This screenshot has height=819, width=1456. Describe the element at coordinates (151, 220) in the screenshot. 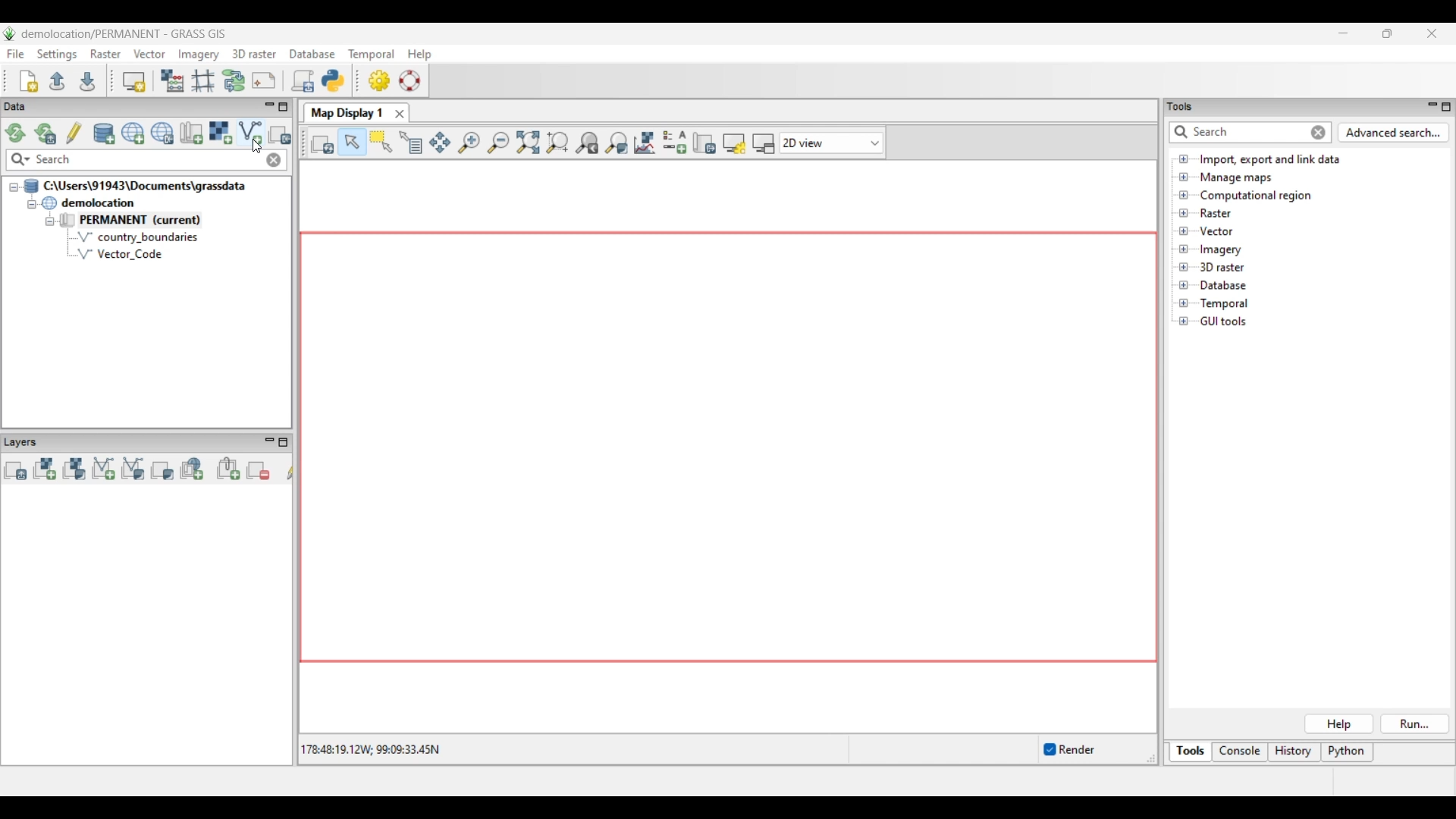

I see `Double click to collapse Permanent` at that location.